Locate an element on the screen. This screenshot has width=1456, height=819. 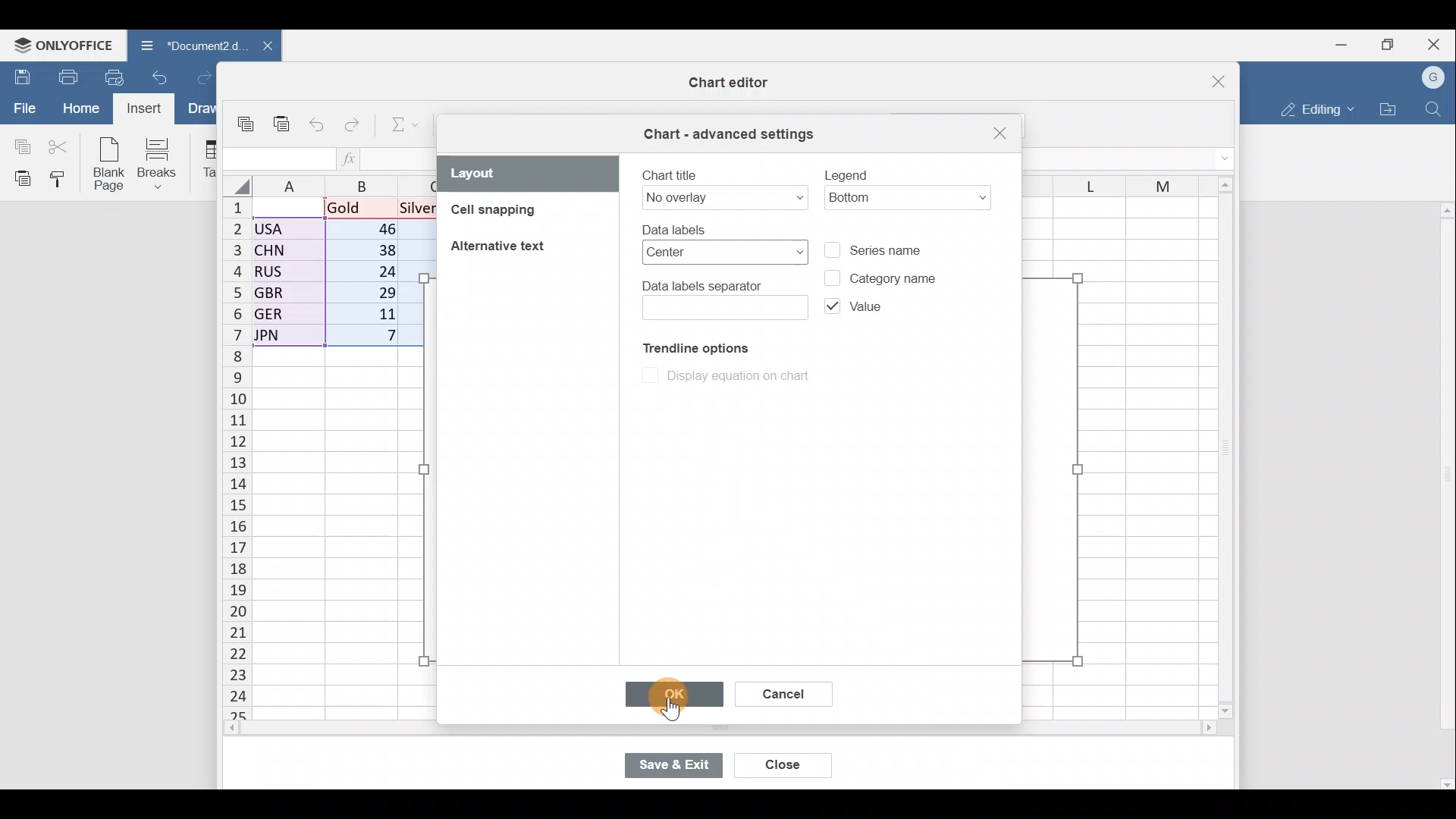
Alternative text is located at coordinates (501, 245).